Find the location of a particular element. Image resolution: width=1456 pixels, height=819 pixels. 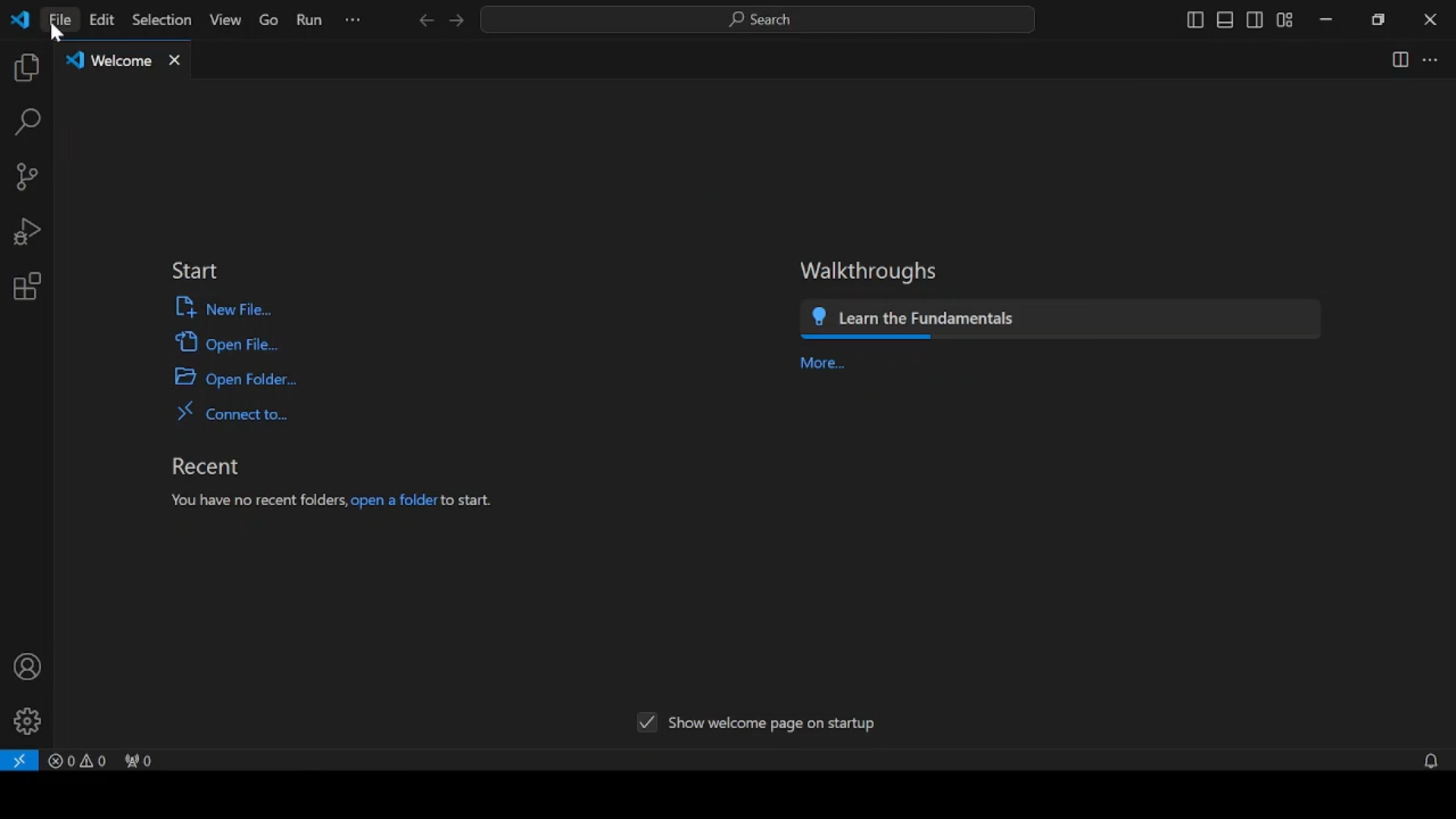

toggle panel is located at coordinates (1225, 20).